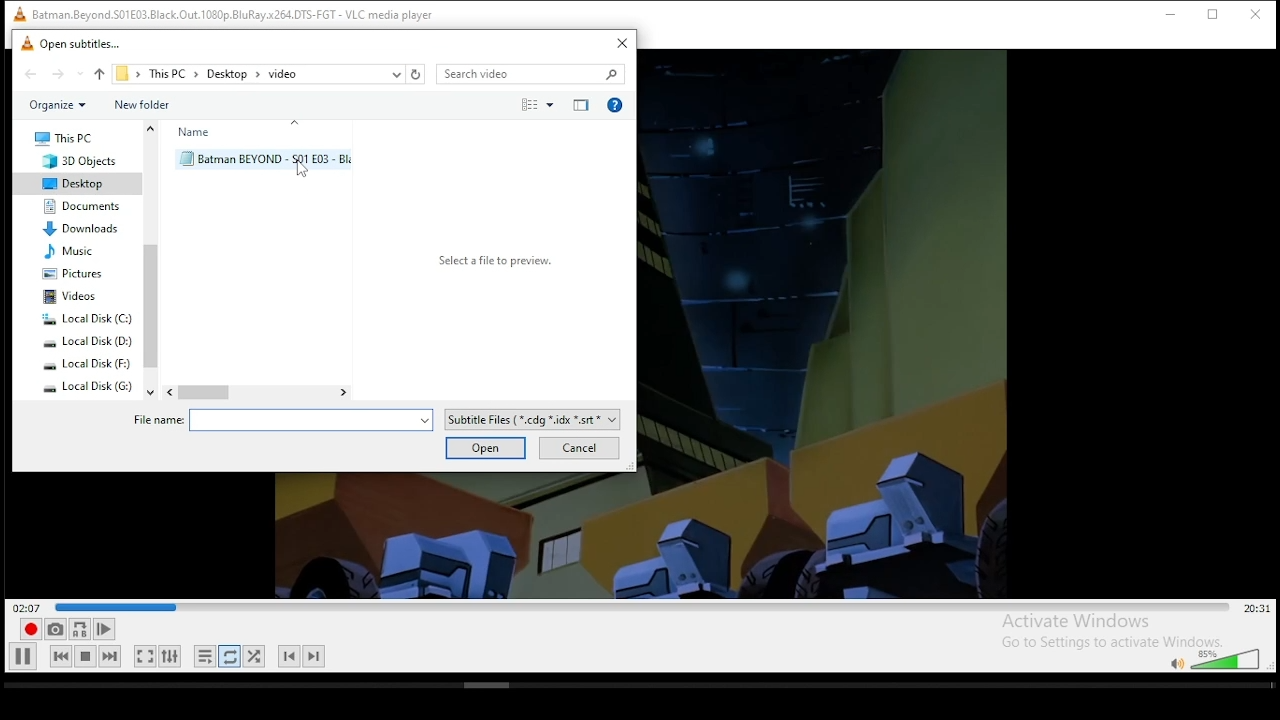 Image resolution: width=1280 pixels, height=720 pixels. What do you see at coordinates (396, 73) in the screenshot?
I see `recent locations` at bounding box center [396, 73].